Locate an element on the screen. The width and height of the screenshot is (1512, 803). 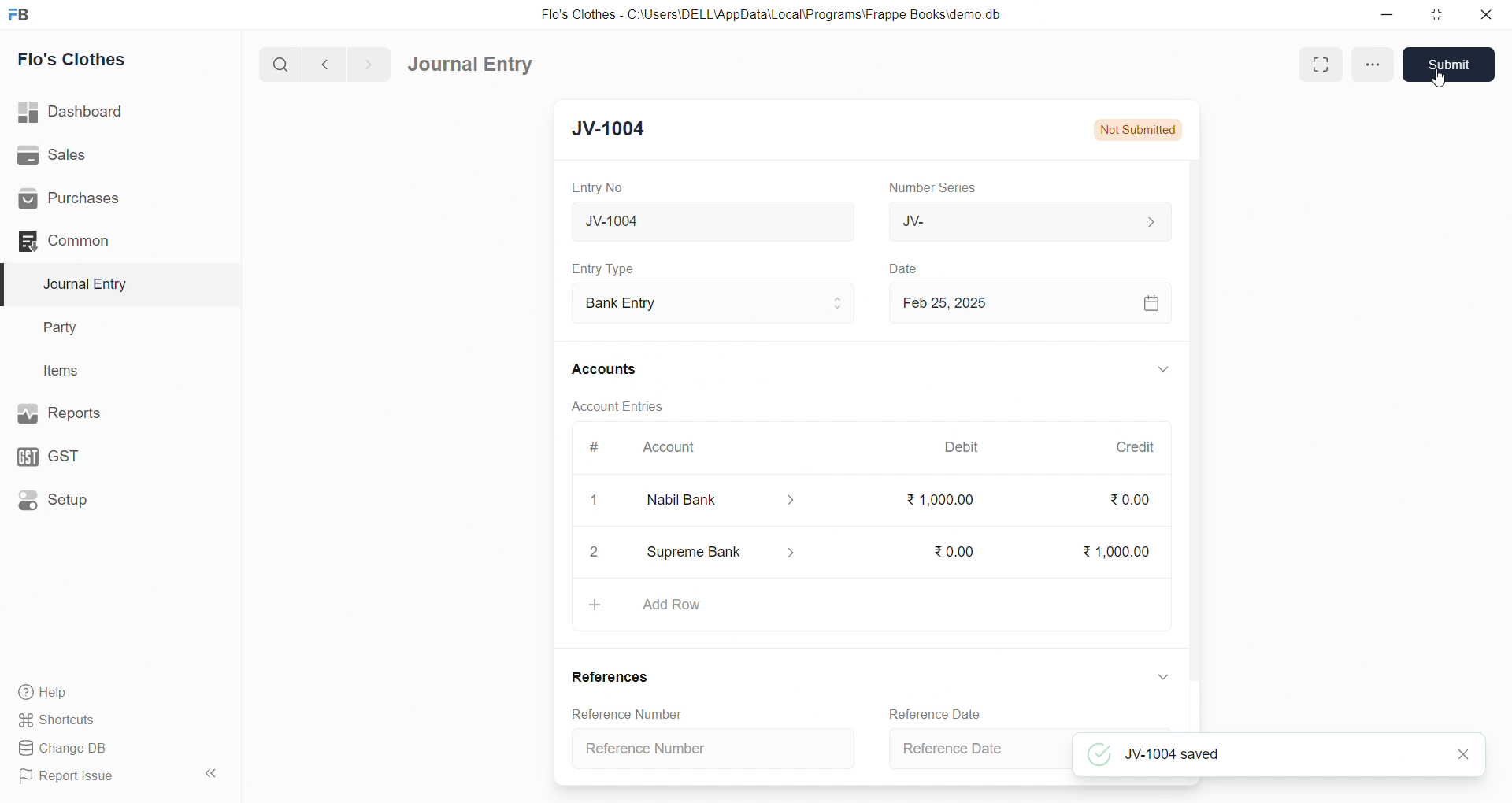
minimize is located at coordinates (1388, 13).